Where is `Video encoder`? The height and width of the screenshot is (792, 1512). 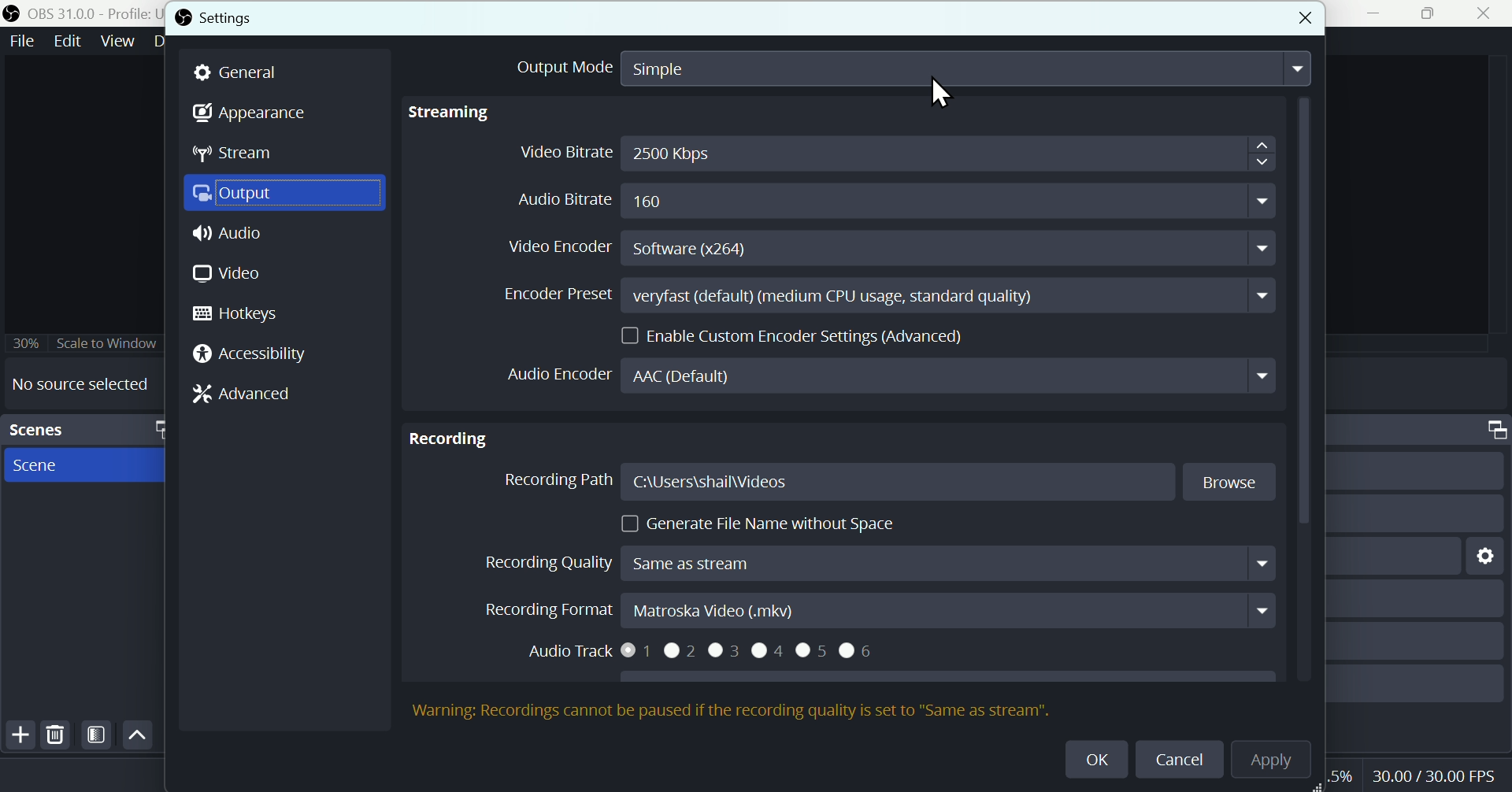
Video encoder is located at coordinates (886, 246).